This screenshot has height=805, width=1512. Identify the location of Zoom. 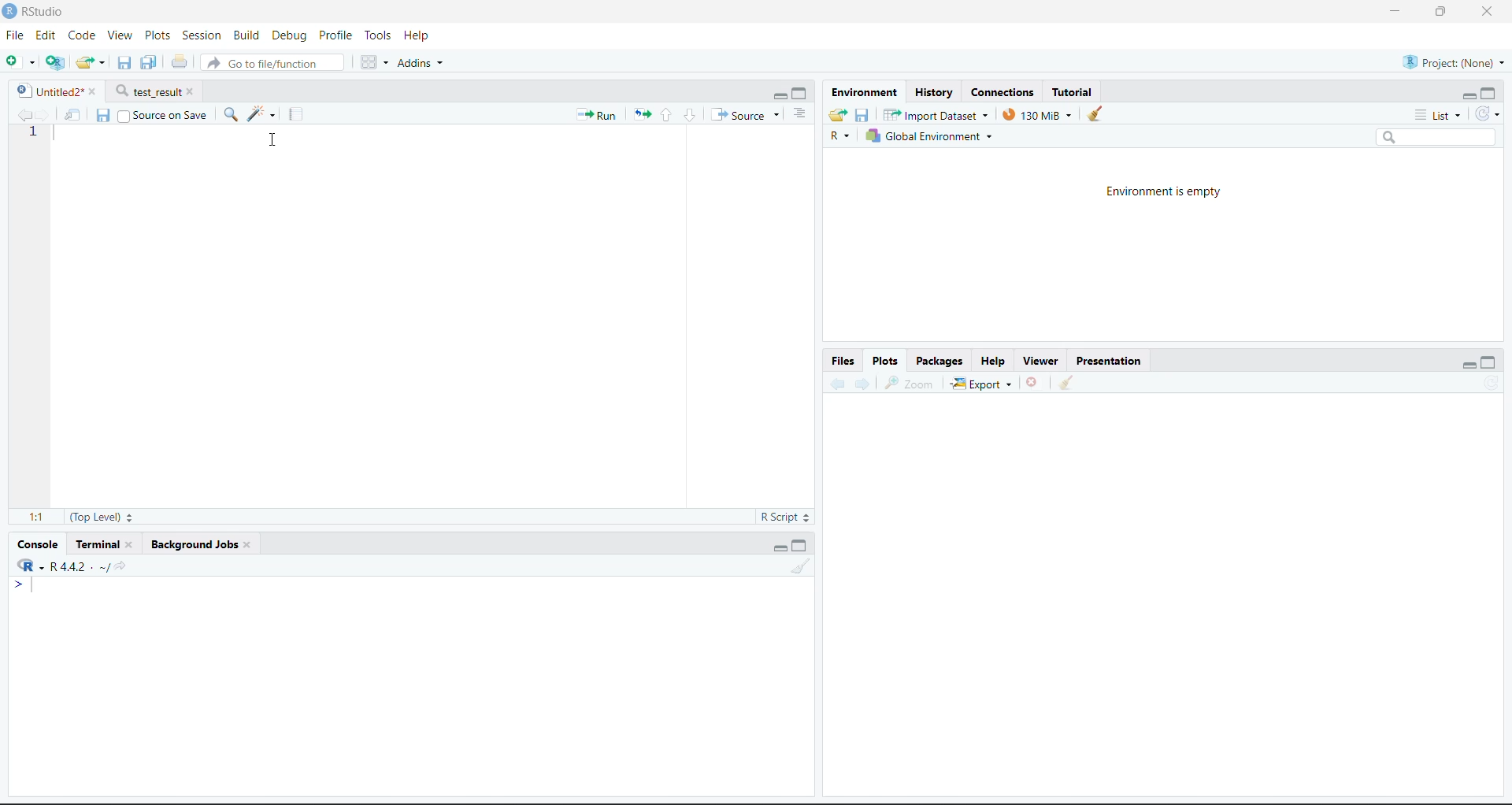
(911, 384).